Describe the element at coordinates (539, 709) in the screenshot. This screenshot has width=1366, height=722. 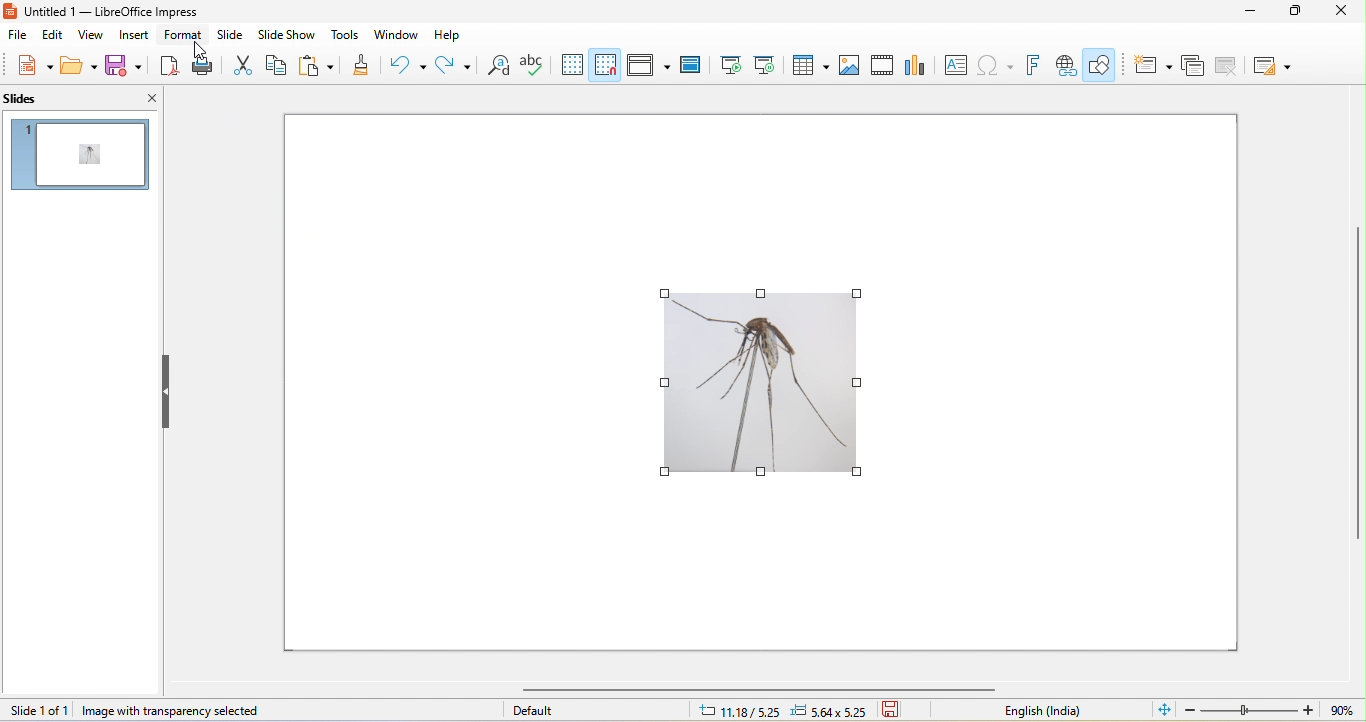
I see `default` at that location.